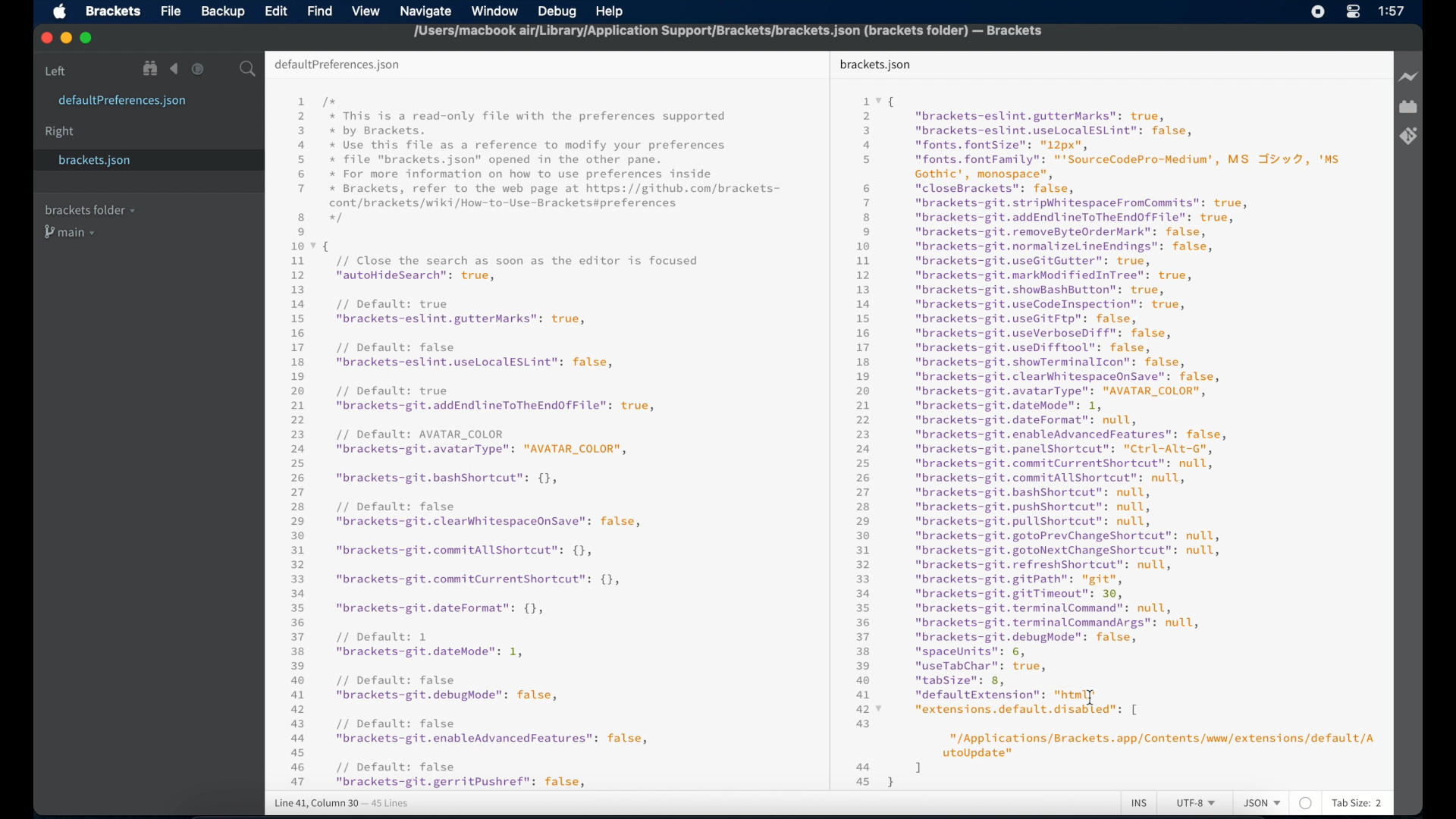 This screenshot has width=1456, height=819. What do you see at coordinates (275, 11) in the screenshot?
I see `edit` at bounding box center [275, 11].